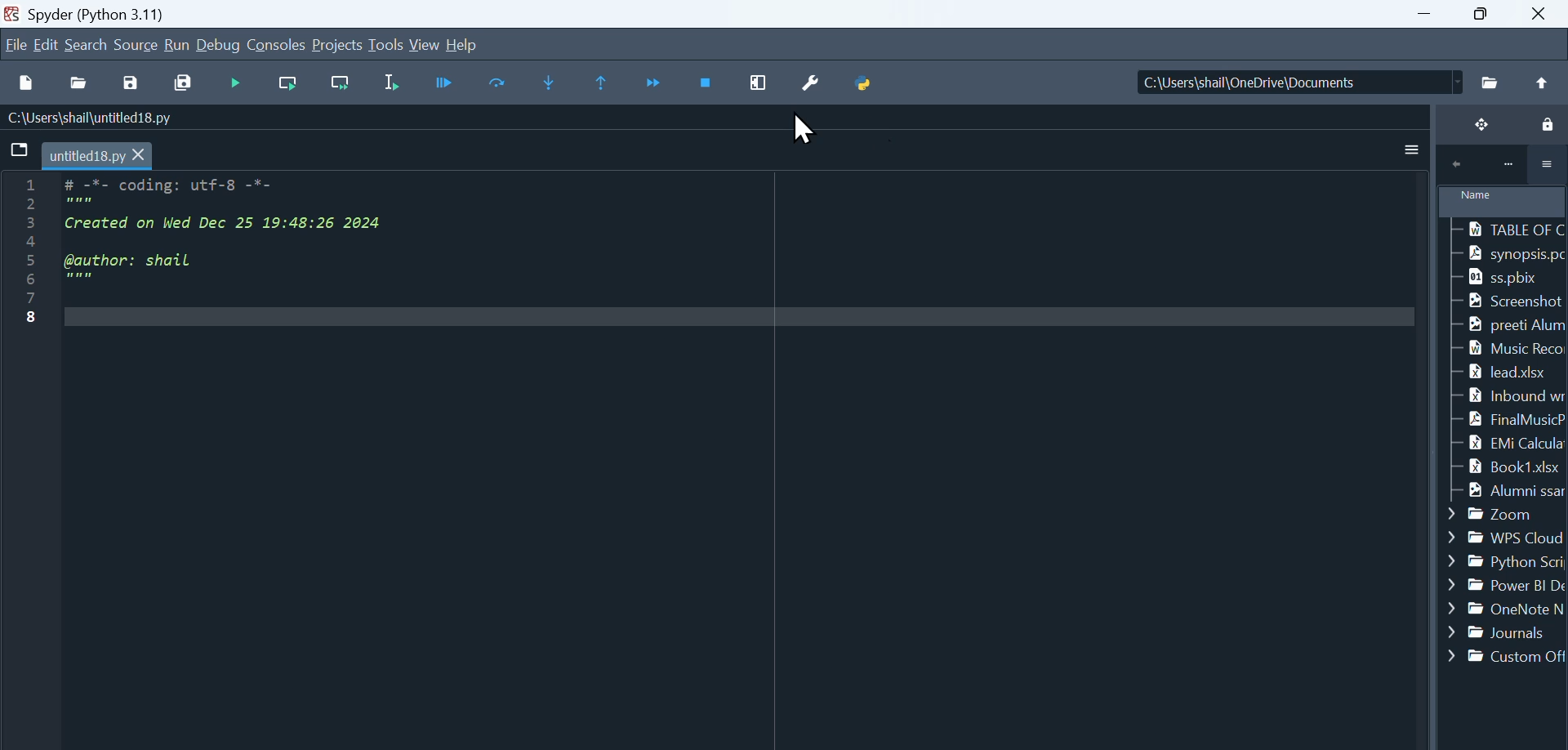  Describe the element at coordinates (1505, 167) in the screenshot. I see `icon` at that location.